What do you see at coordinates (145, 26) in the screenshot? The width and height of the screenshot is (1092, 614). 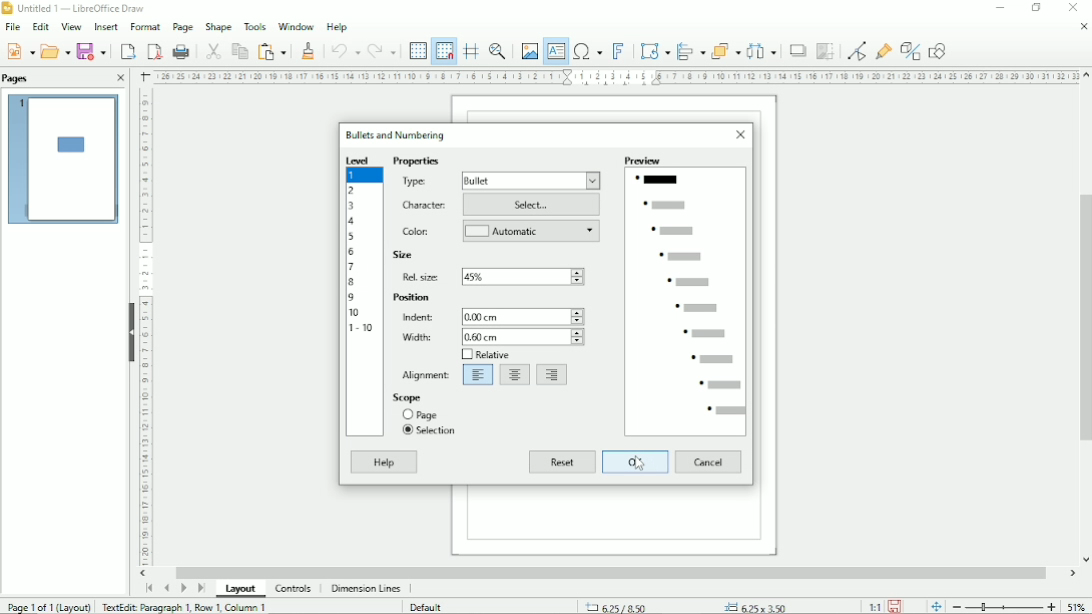 I see `Format` at bounding box center [145, 26].